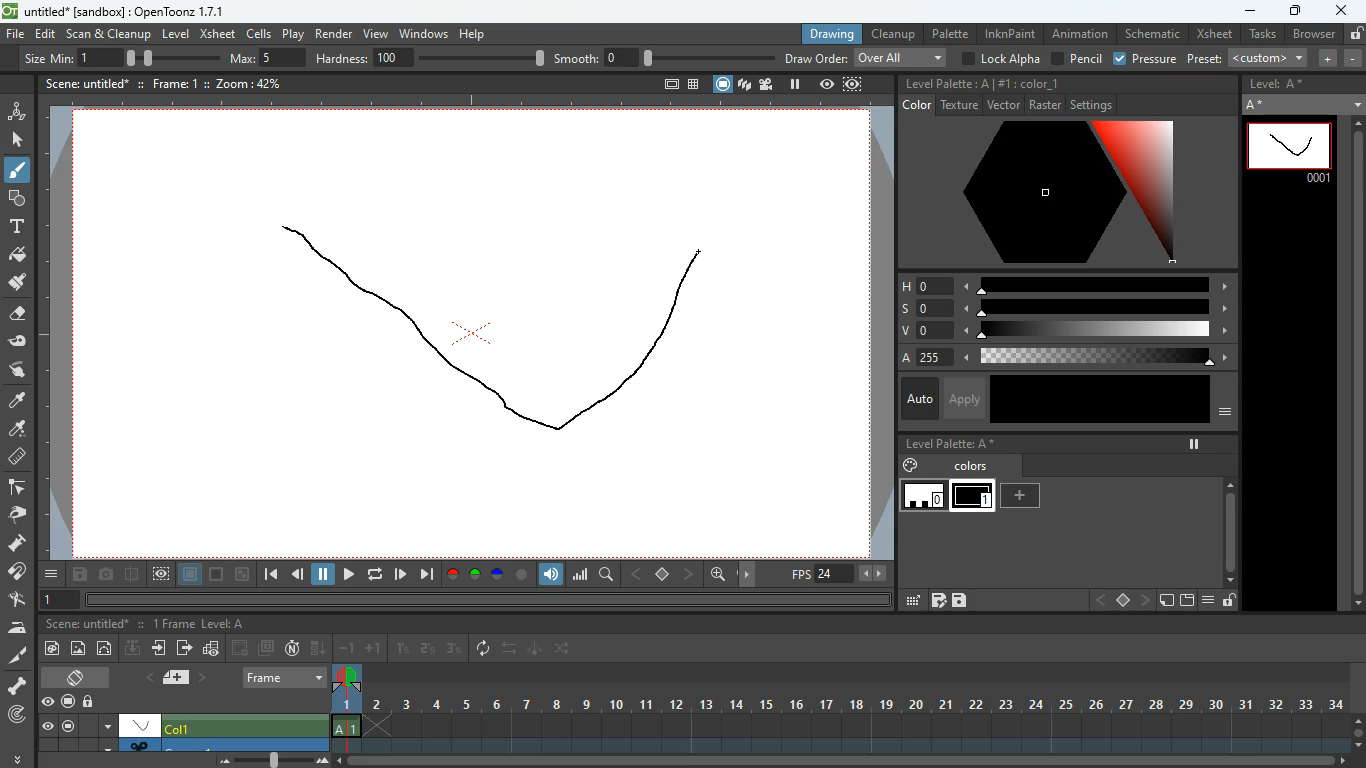 The width and height of the screenshot is (1366, 768). I want to click on close, so click(1342, 9).